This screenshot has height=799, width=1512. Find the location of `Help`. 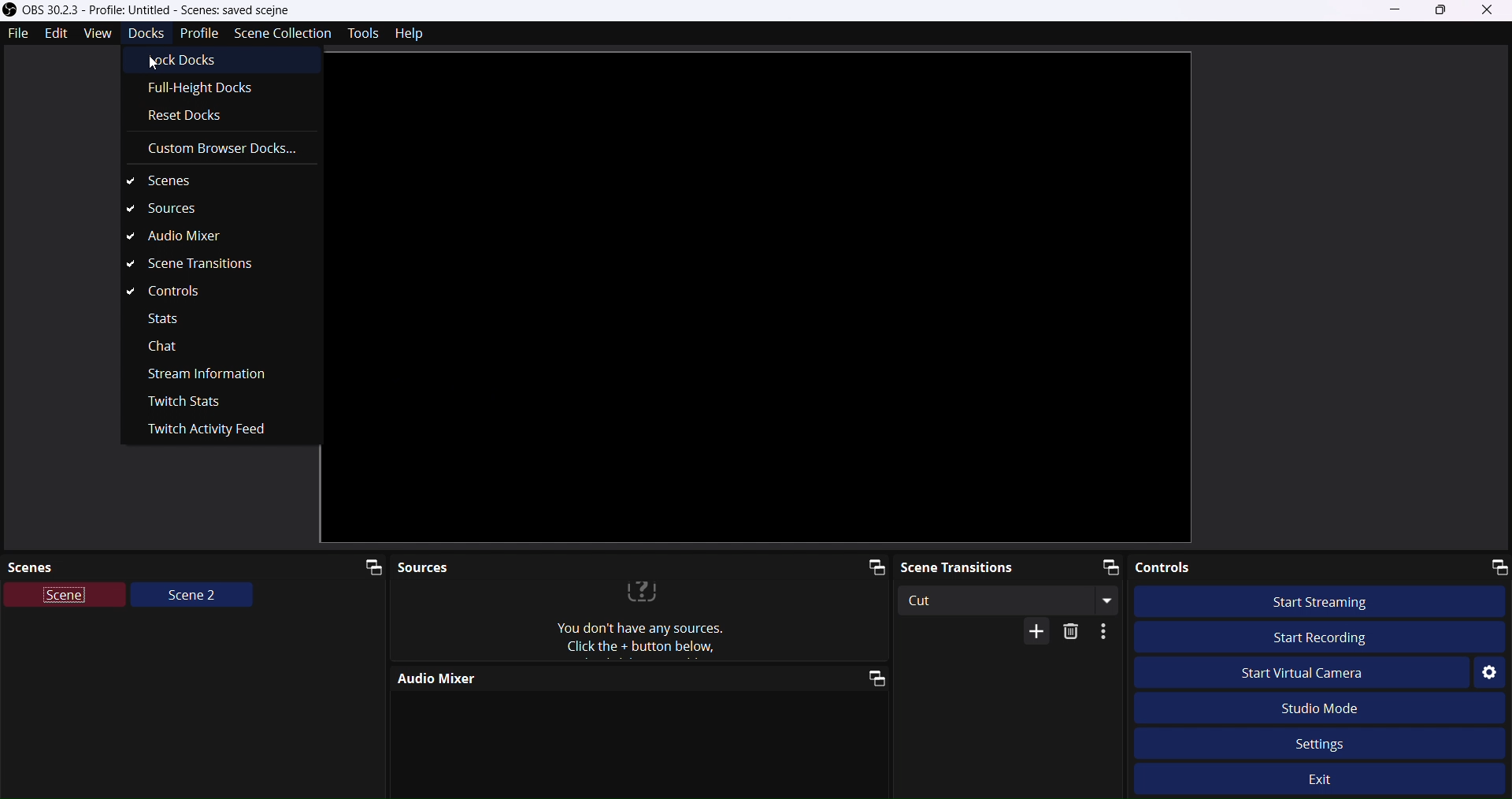

Help is located at coordinates (413, 34).